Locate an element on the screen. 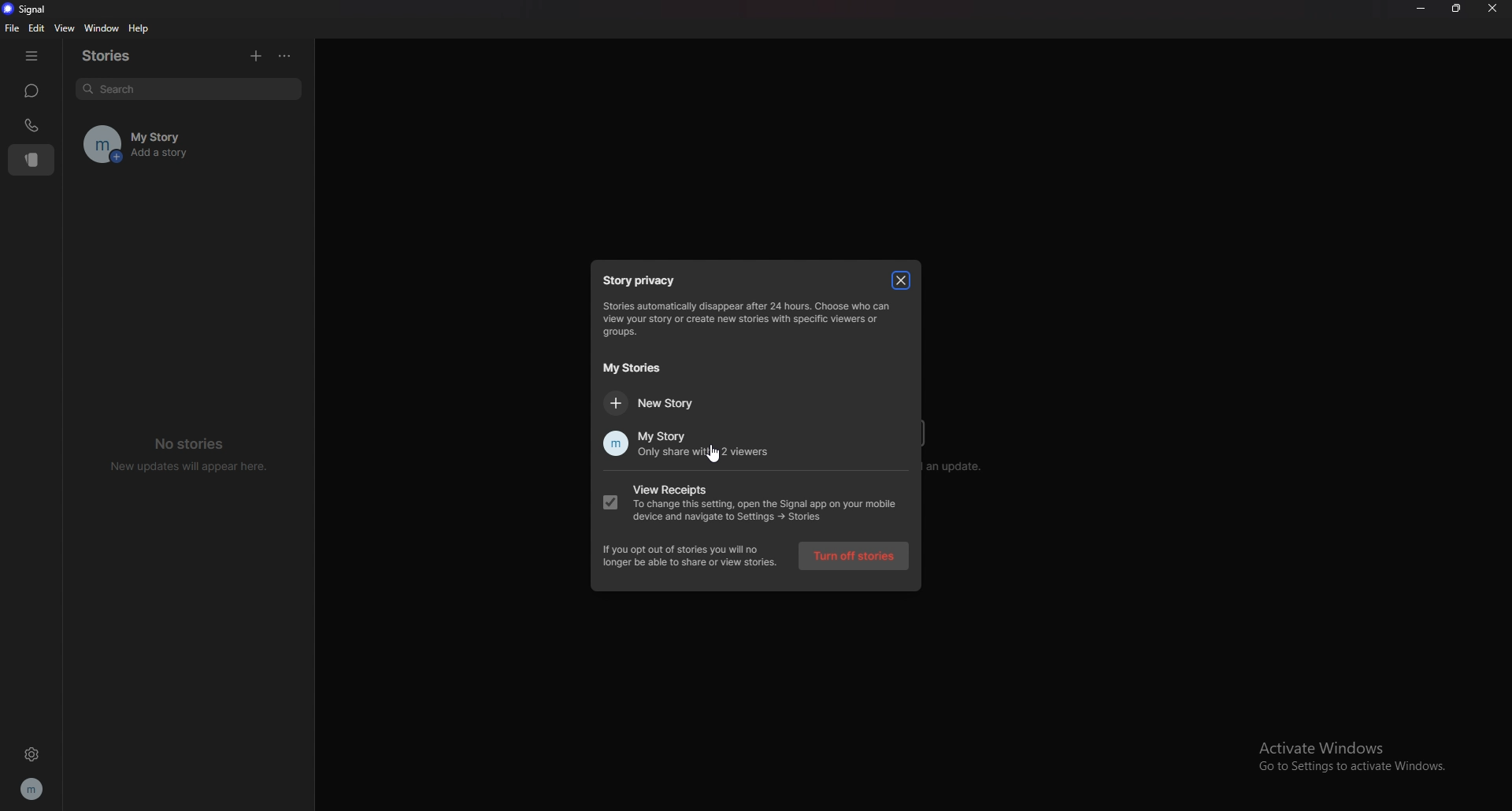 The width and height of the screenshot is (1512, 811). To change this setting, open the Signal app on your mobile
device and navigate to Settings > Stories is located at coordinates (769, 512).